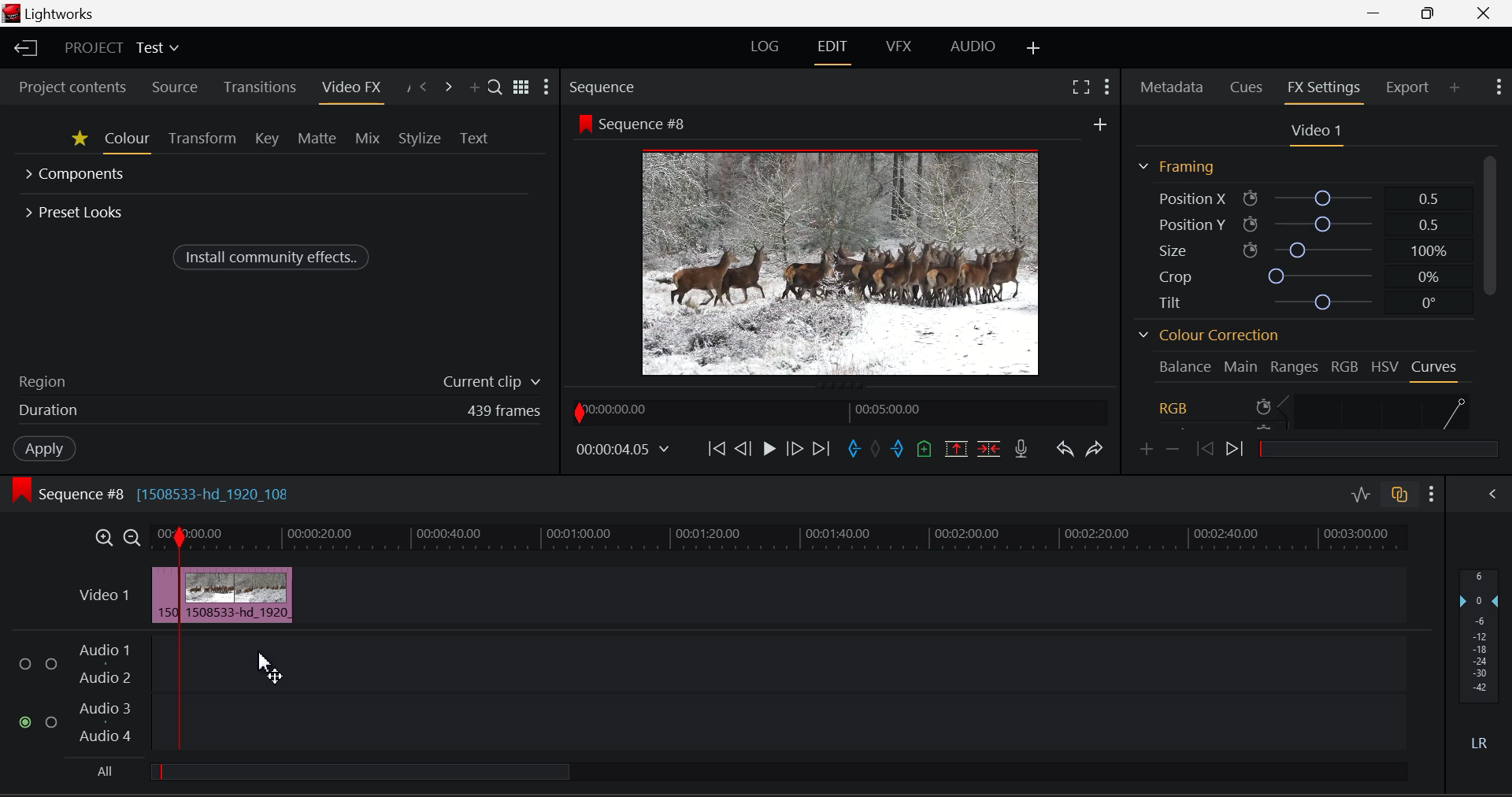 Image resolution: width=1512 pixels, height=797 pixels. What do you see at coordinates (121, 49) in the screenshot?
I see `Project Title` at bounding box center [121, 49].